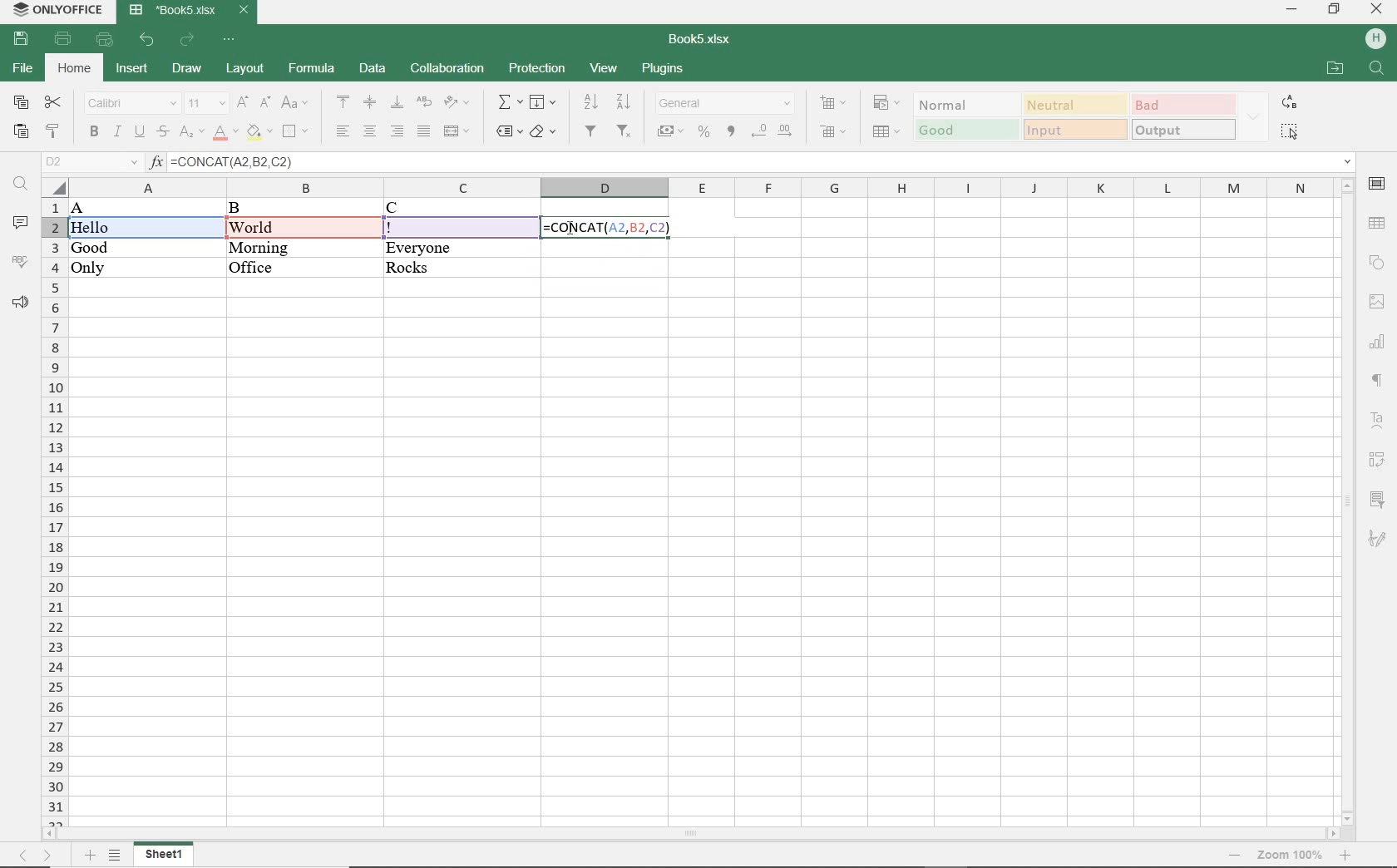 This screenshot has height=868, width=1397. I want to click on REMOV FILTER, so click(624, 131).